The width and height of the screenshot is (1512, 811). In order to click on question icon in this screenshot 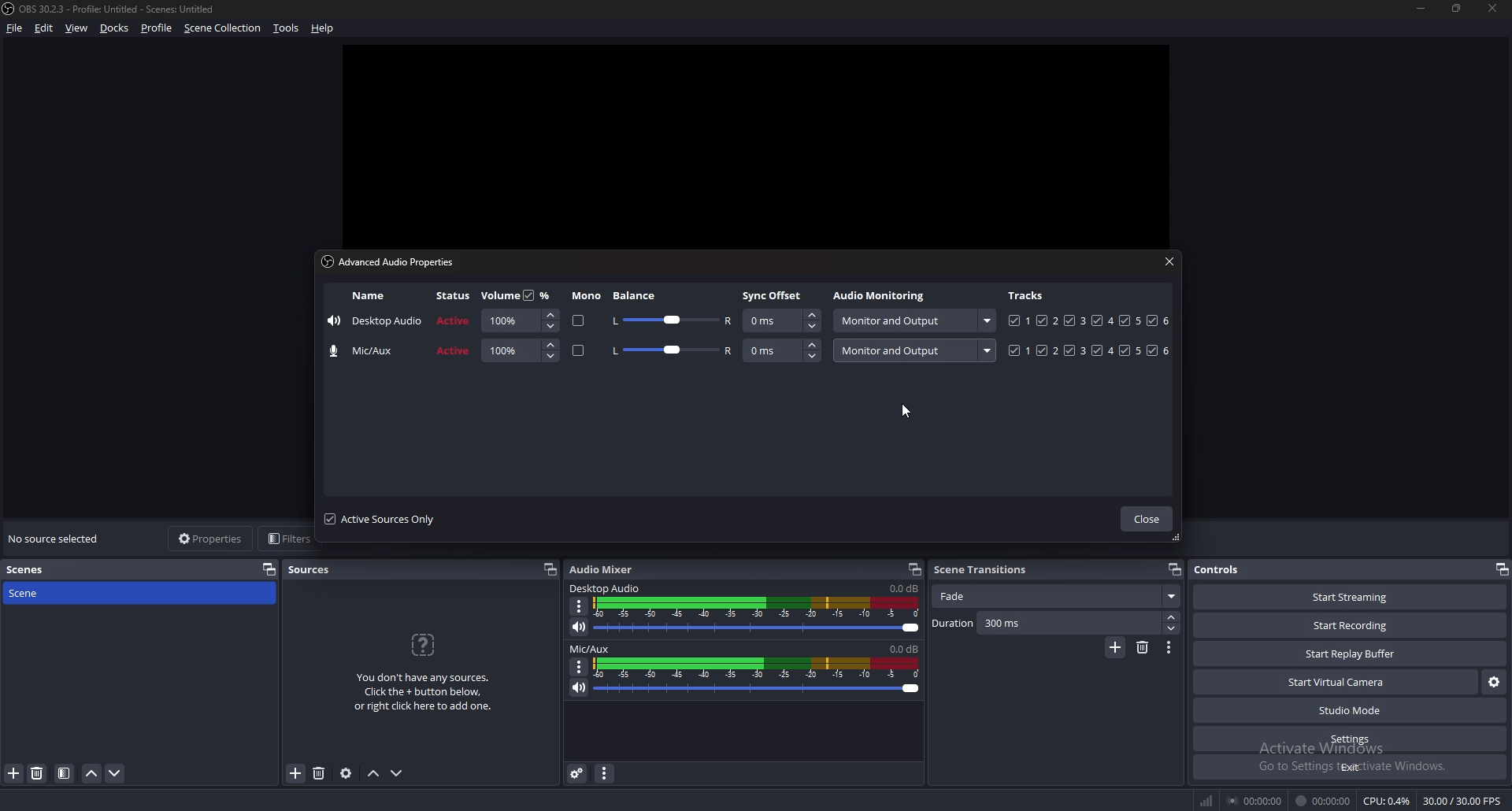, I will do `click(423, 645)`.